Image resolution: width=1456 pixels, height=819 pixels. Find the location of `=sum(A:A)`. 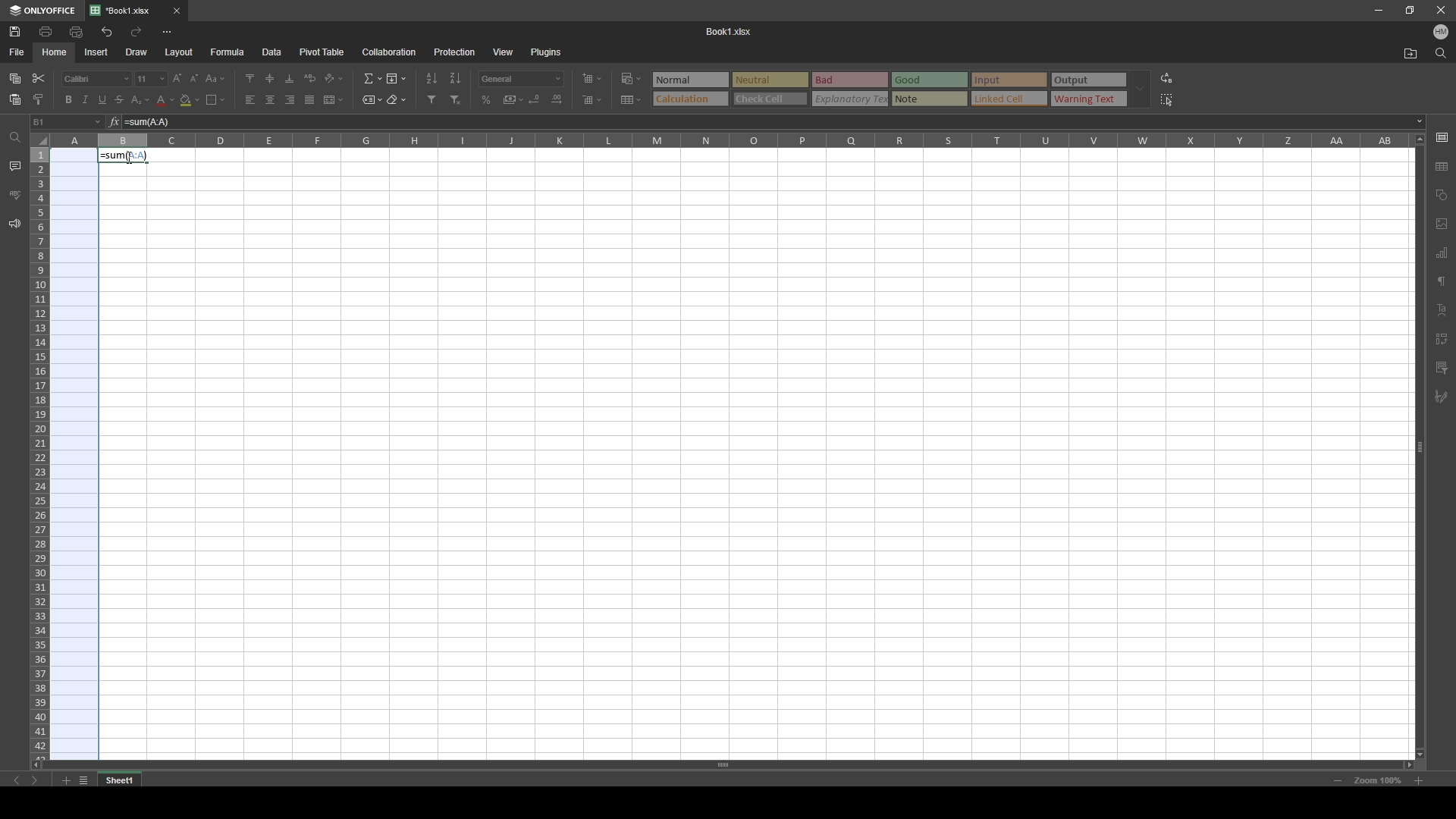

=sum(A:A) is located at coordinates (124, 155).